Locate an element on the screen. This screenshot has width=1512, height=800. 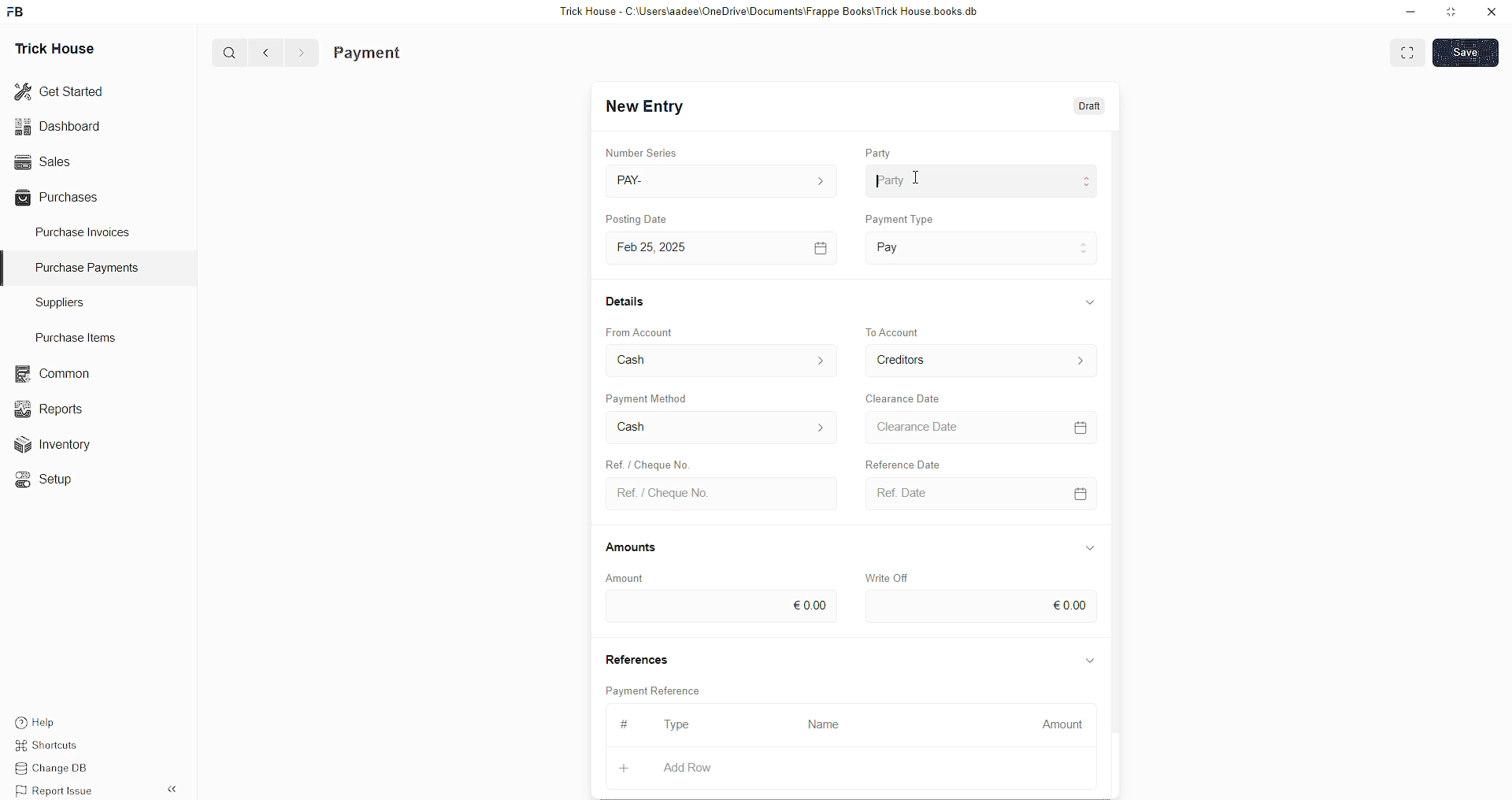
Dashboard is located at coordinates (61, 126).